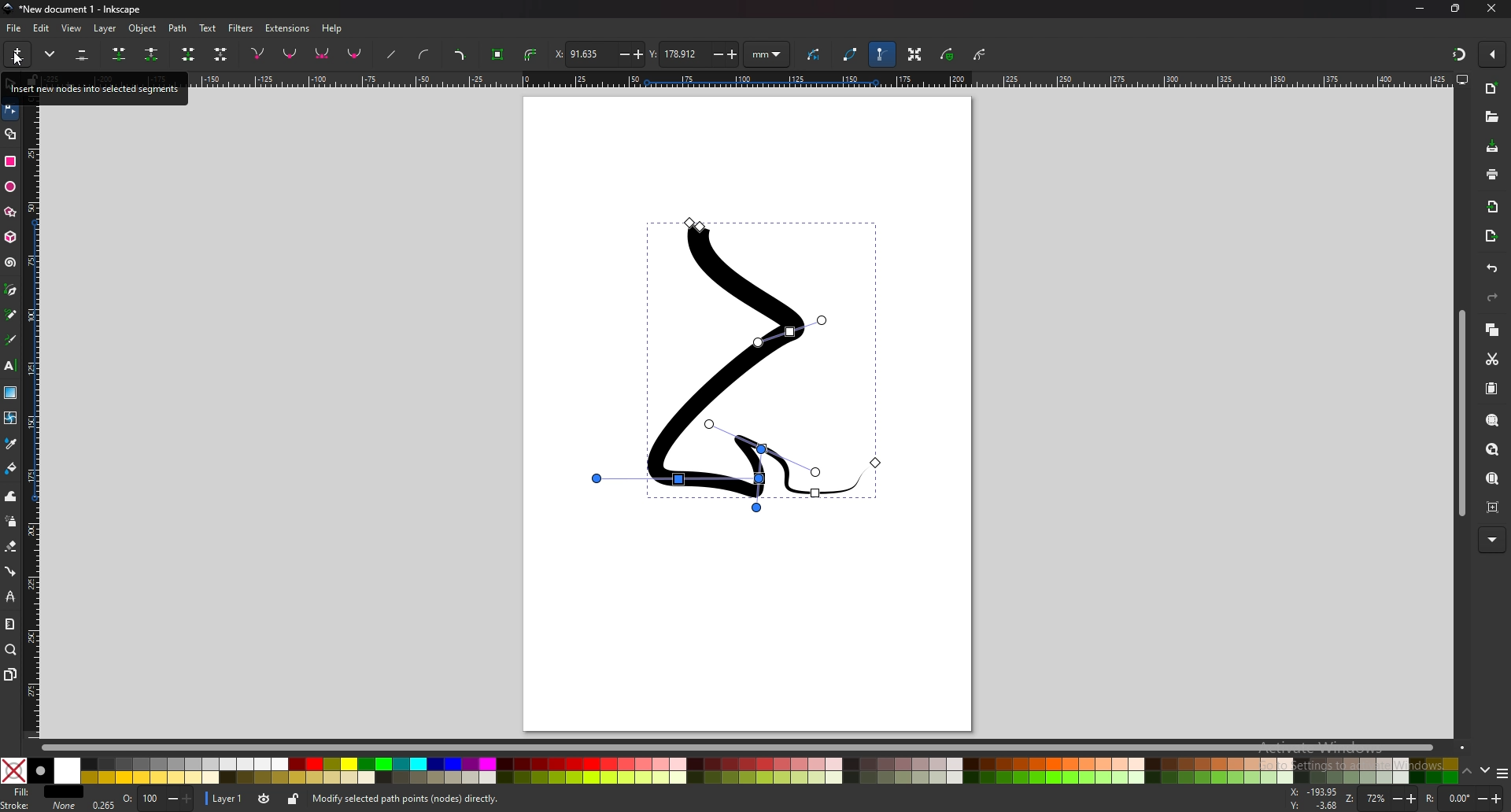 The height and width of the screenshot is (812, 1511). What do you see at coordinates (220, 54) in the screenshot?
I see `delete segment between two non endpoint nodes` at bounding box center [220, 54].